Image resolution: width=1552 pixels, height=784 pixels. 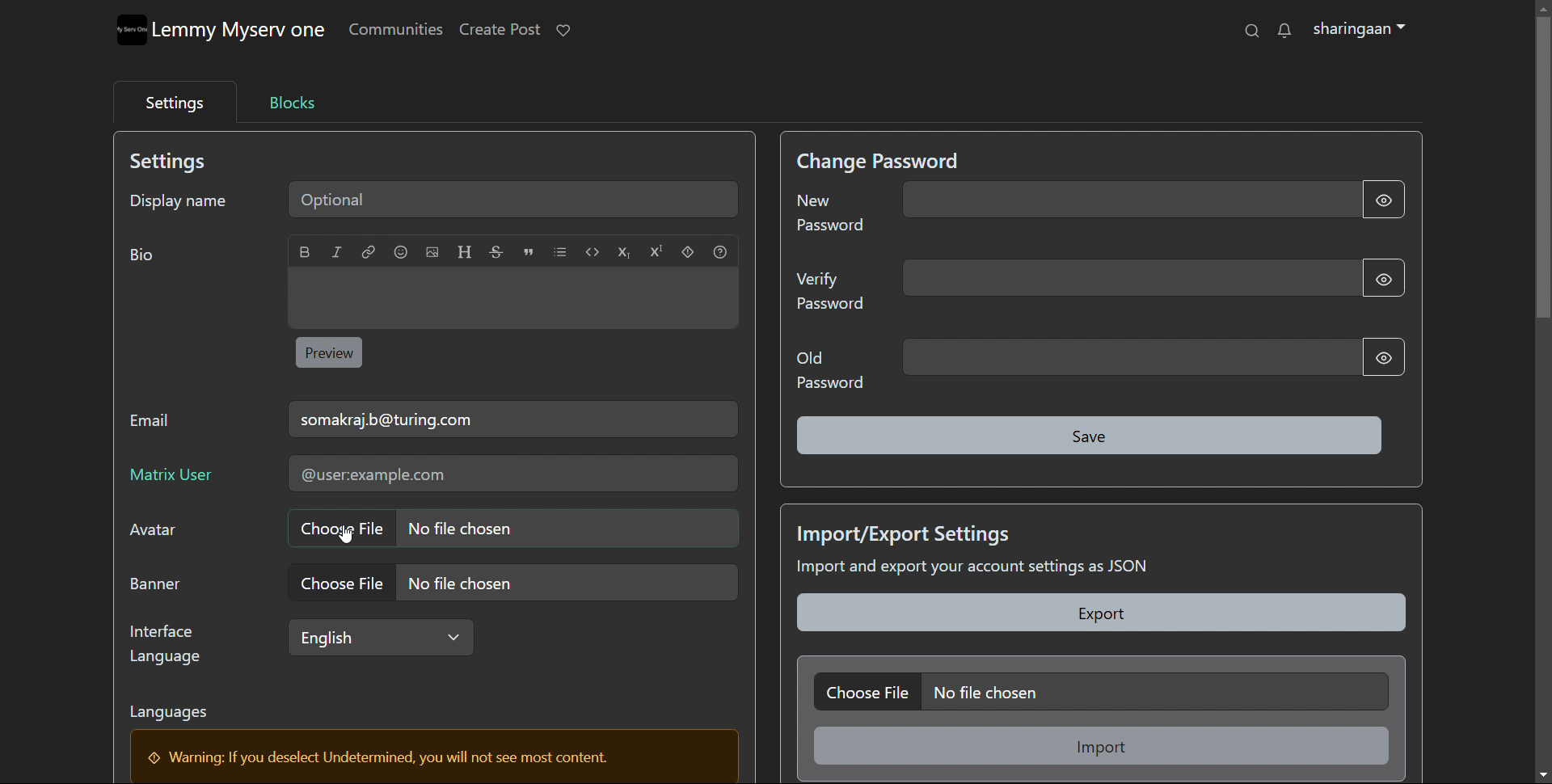 I want to click on help, so click(x=721, y=252).